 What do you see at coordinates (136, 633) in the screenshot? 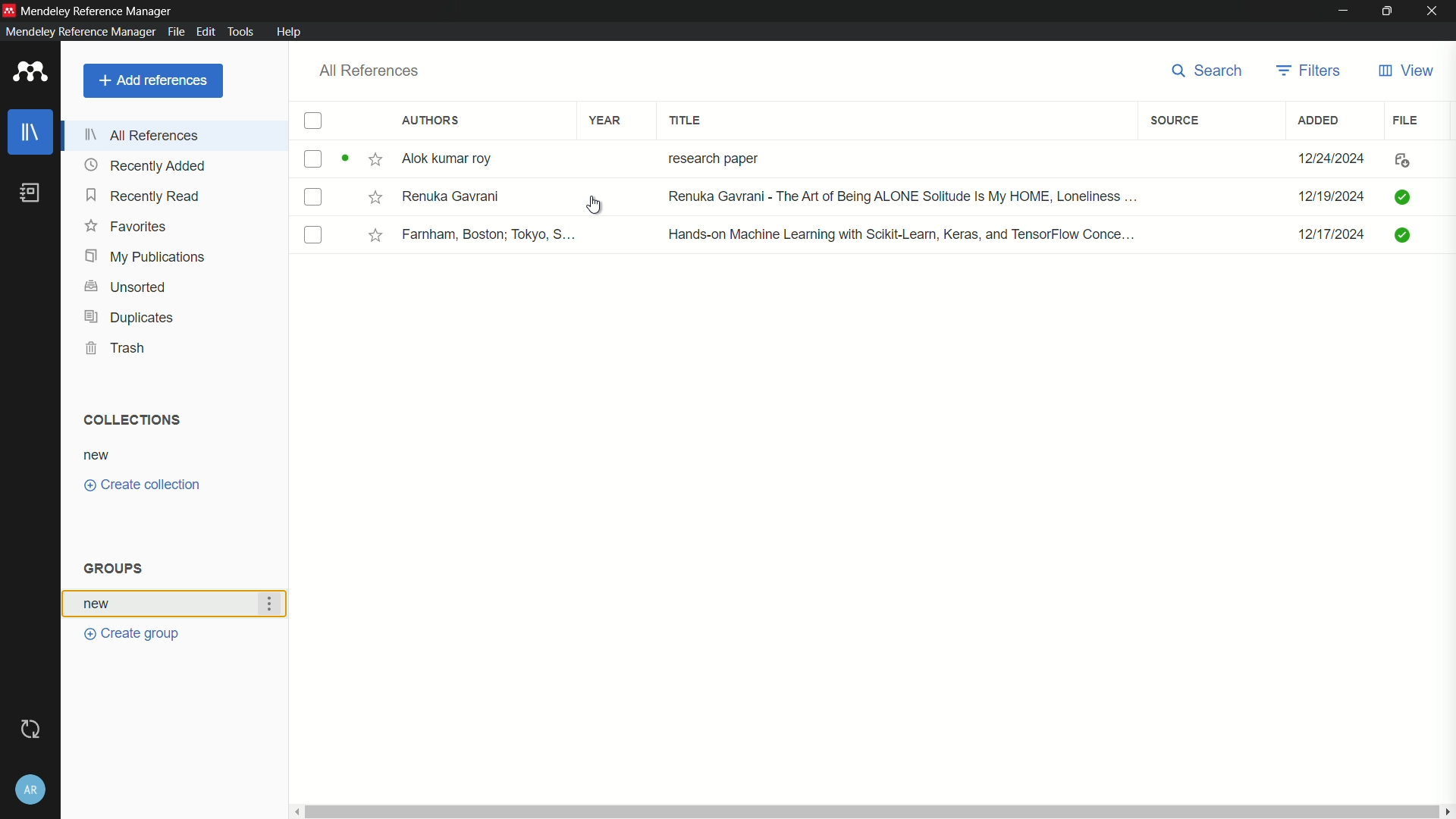
I see `create group` at bounding box center [136, 633].